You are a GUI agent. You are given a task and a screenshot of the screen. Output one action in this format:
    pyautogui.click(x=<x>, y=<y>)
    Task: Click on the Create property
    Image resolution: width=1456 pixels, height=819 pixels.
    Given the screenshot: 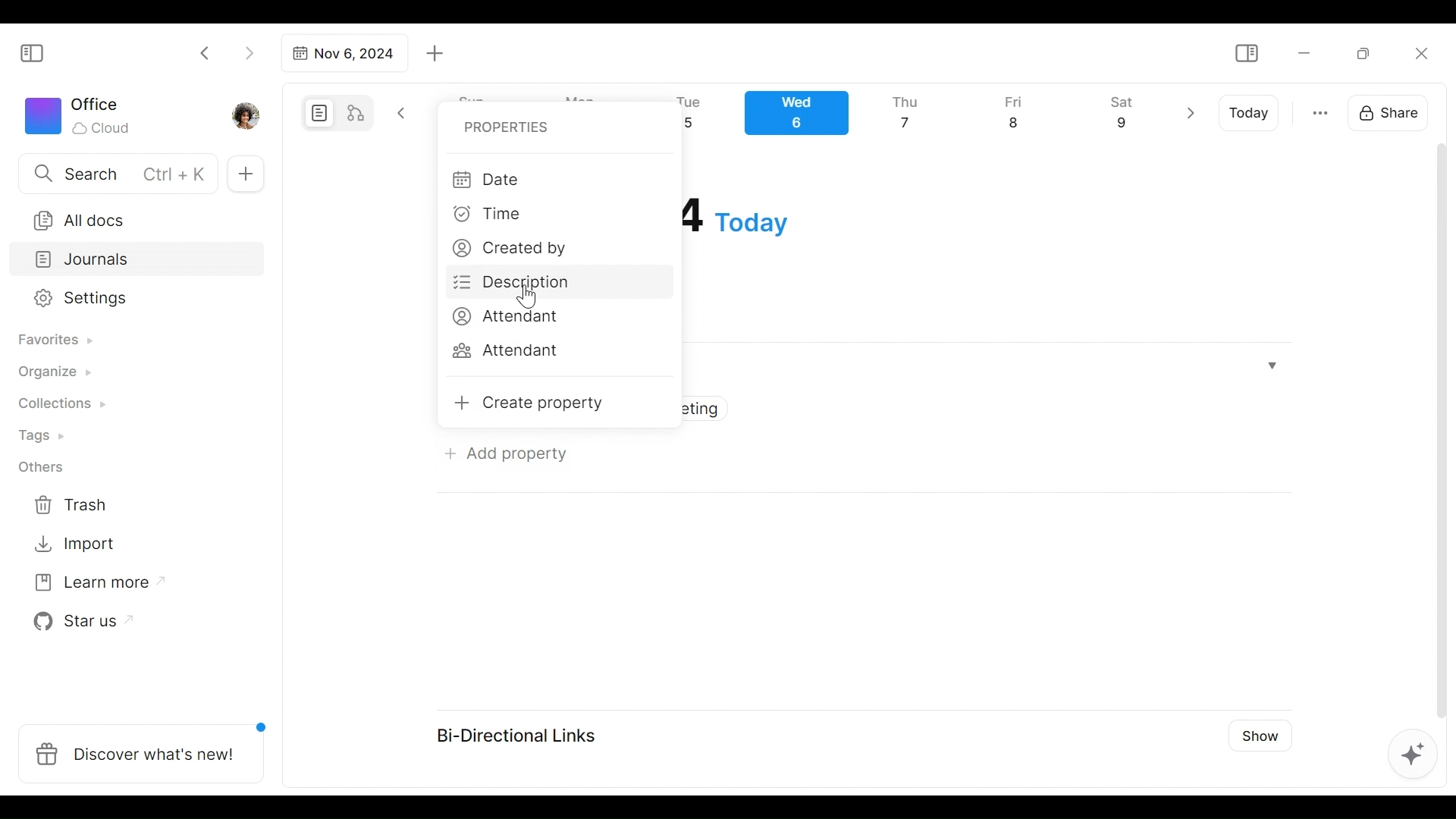 What is the action you would take?
    pyautogui.click(x=526, y=403)
    